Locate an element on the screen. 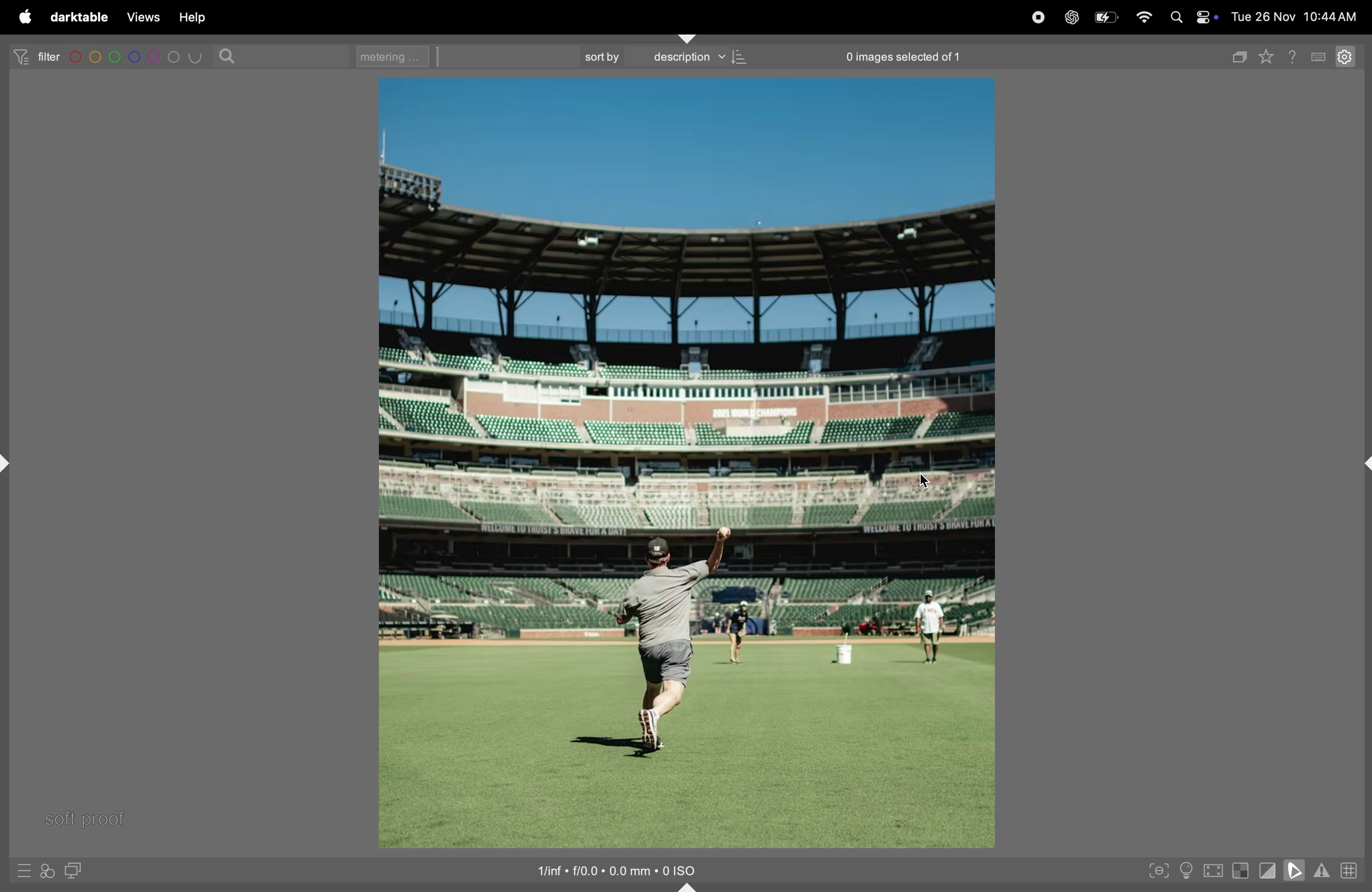  favourites is located at coordinates (1269, 55).